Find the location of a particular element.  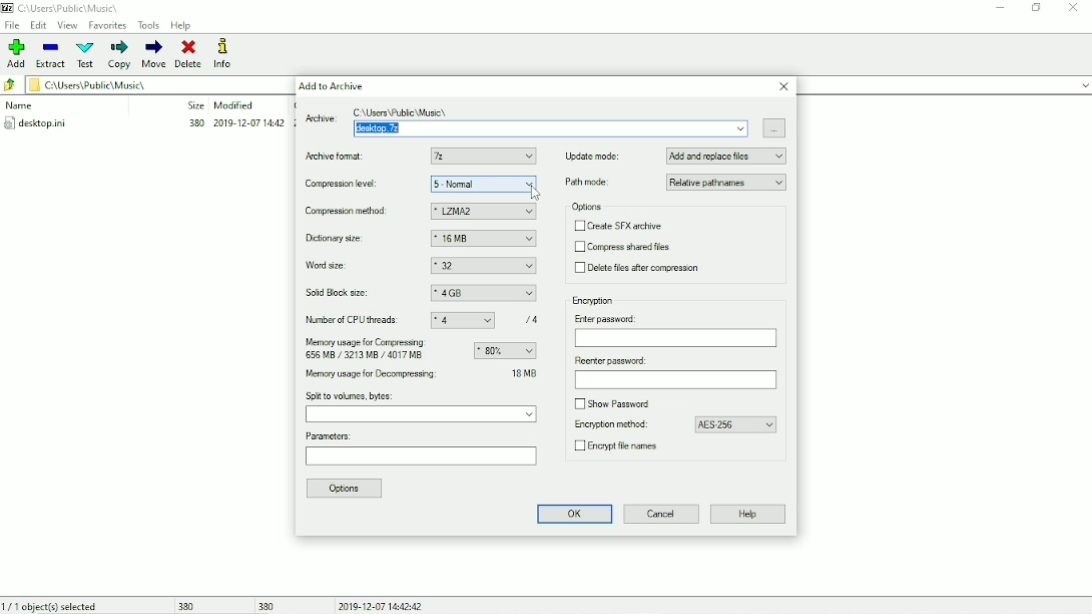

Memory usage for compressing is located at coordinates (505, 351).